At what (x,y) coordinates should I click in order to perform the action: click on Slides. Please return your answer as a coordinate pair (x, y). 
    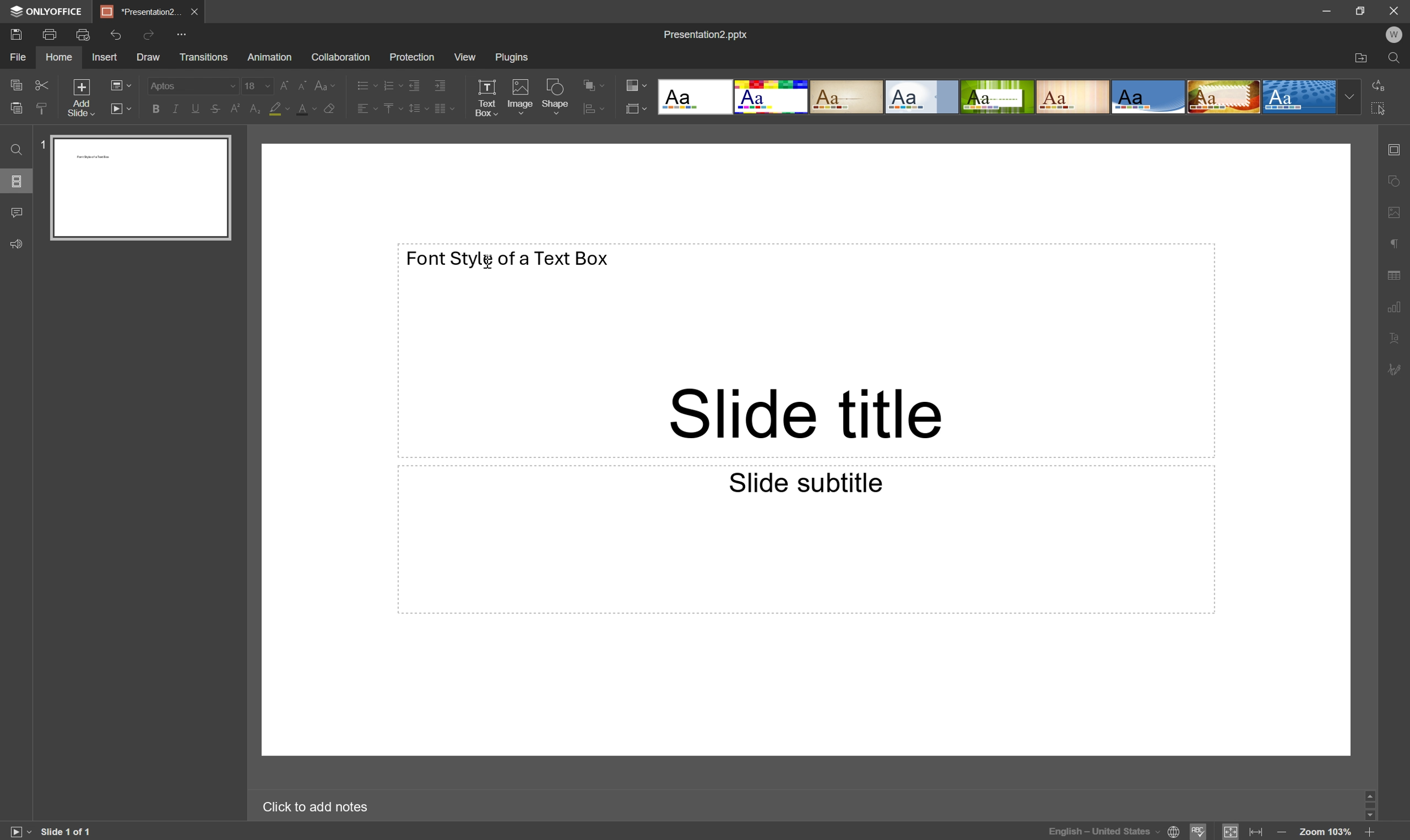
    Looking at the image, I should click on (16, 182).